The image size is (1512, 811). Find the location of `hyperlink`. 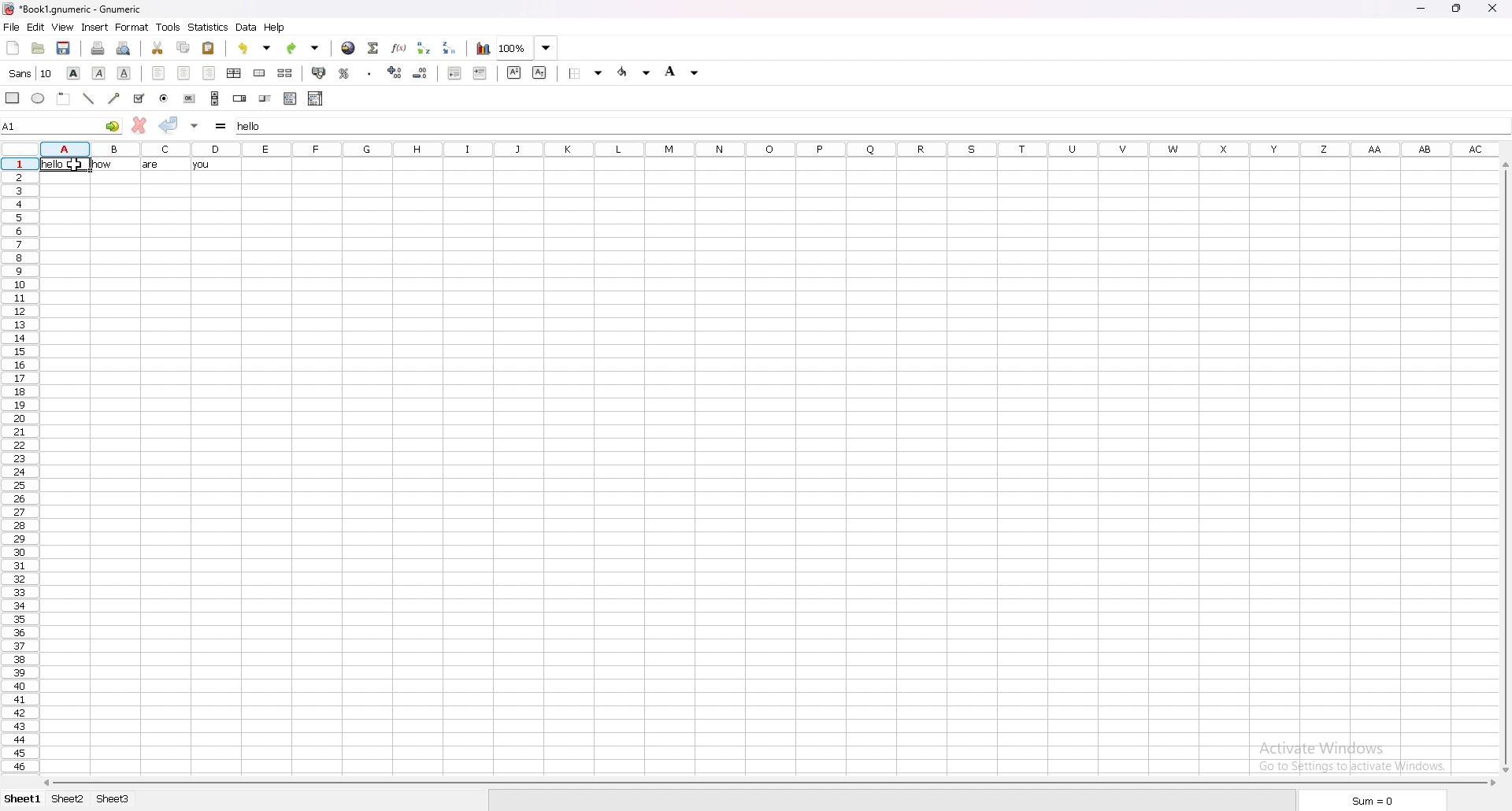

hyperlink is located at coordinates (349, 47).